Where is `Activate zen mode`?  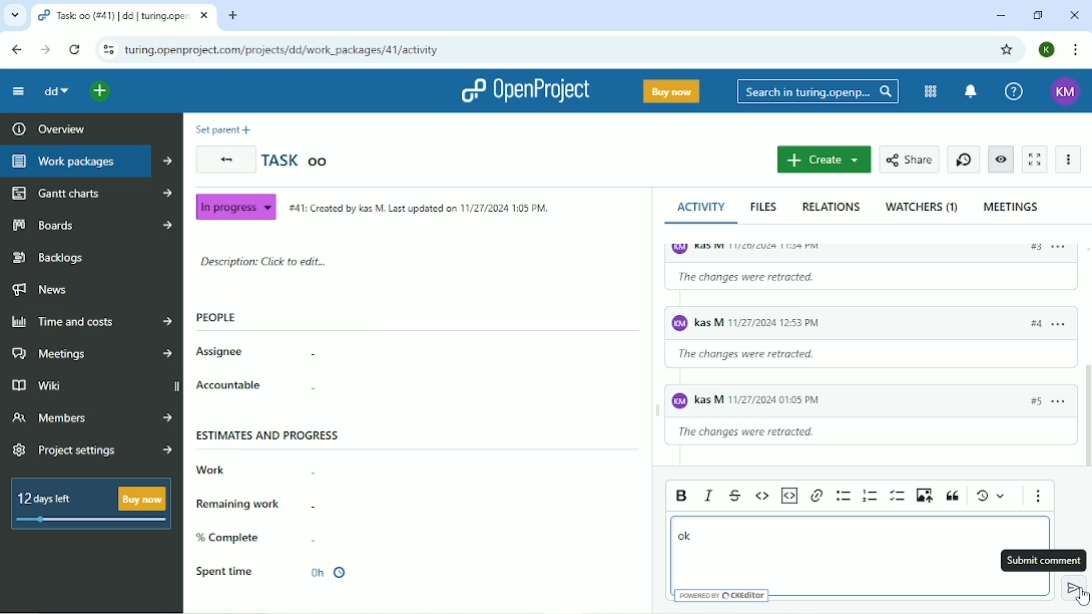
Activate zen mode is located at coordinates (1037, 159).